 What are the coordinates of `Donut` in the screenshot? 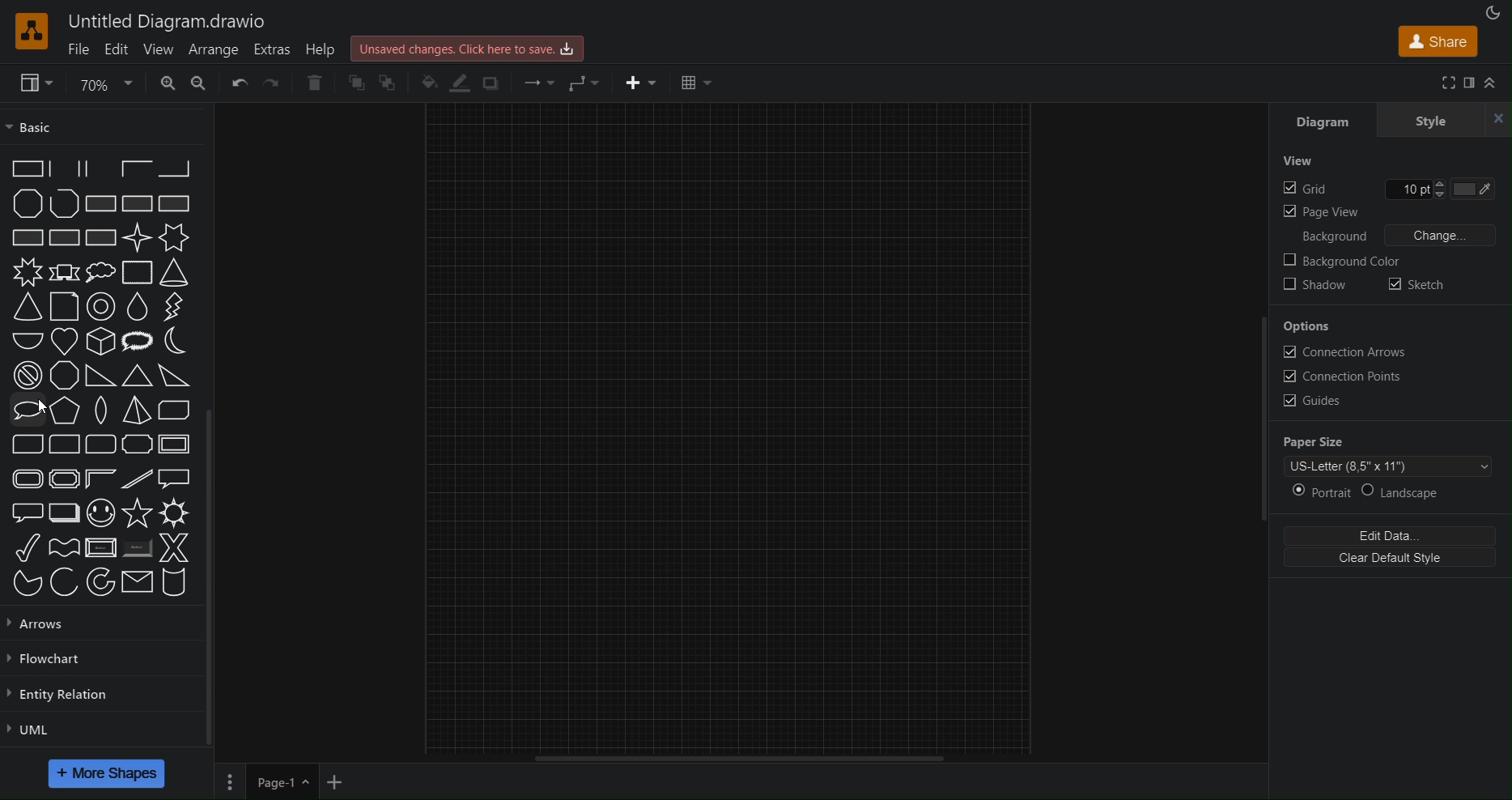 It's located at (100, 306).